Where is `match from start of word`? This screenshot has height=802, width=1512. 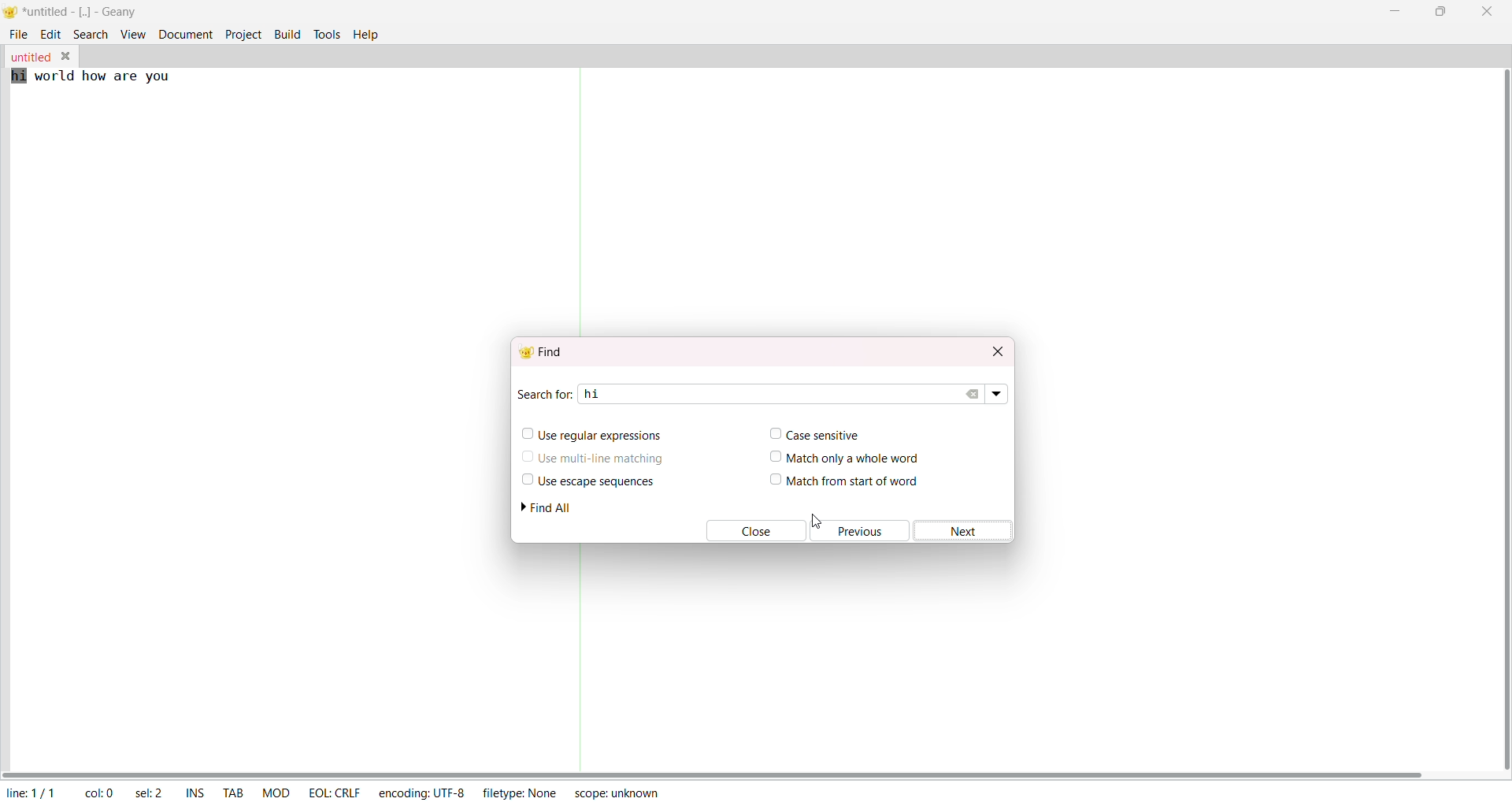
match from start of word is located at coordinates (842, 481).